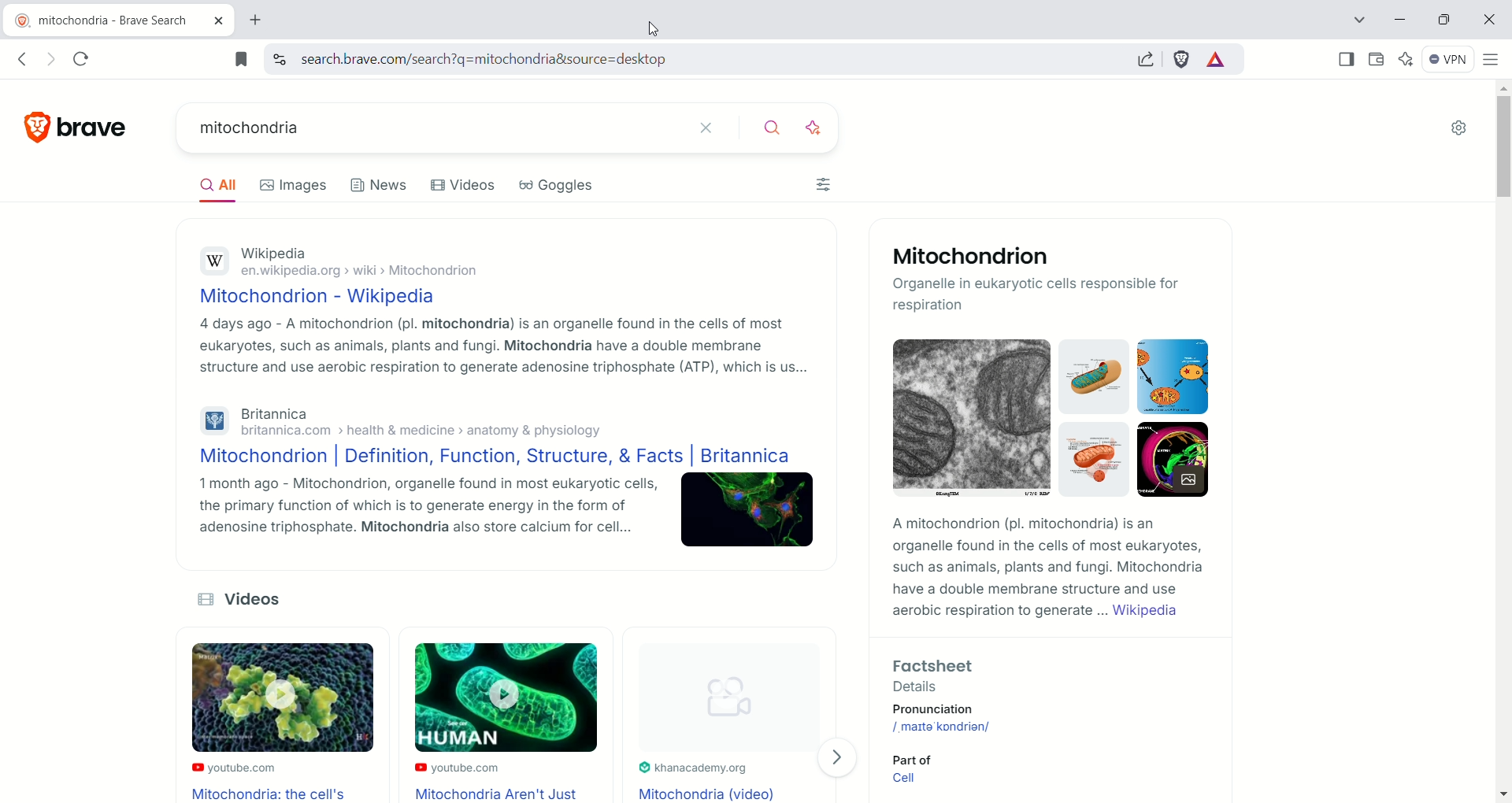  I want to click on Mitochondria (Video), so click(710, 793).